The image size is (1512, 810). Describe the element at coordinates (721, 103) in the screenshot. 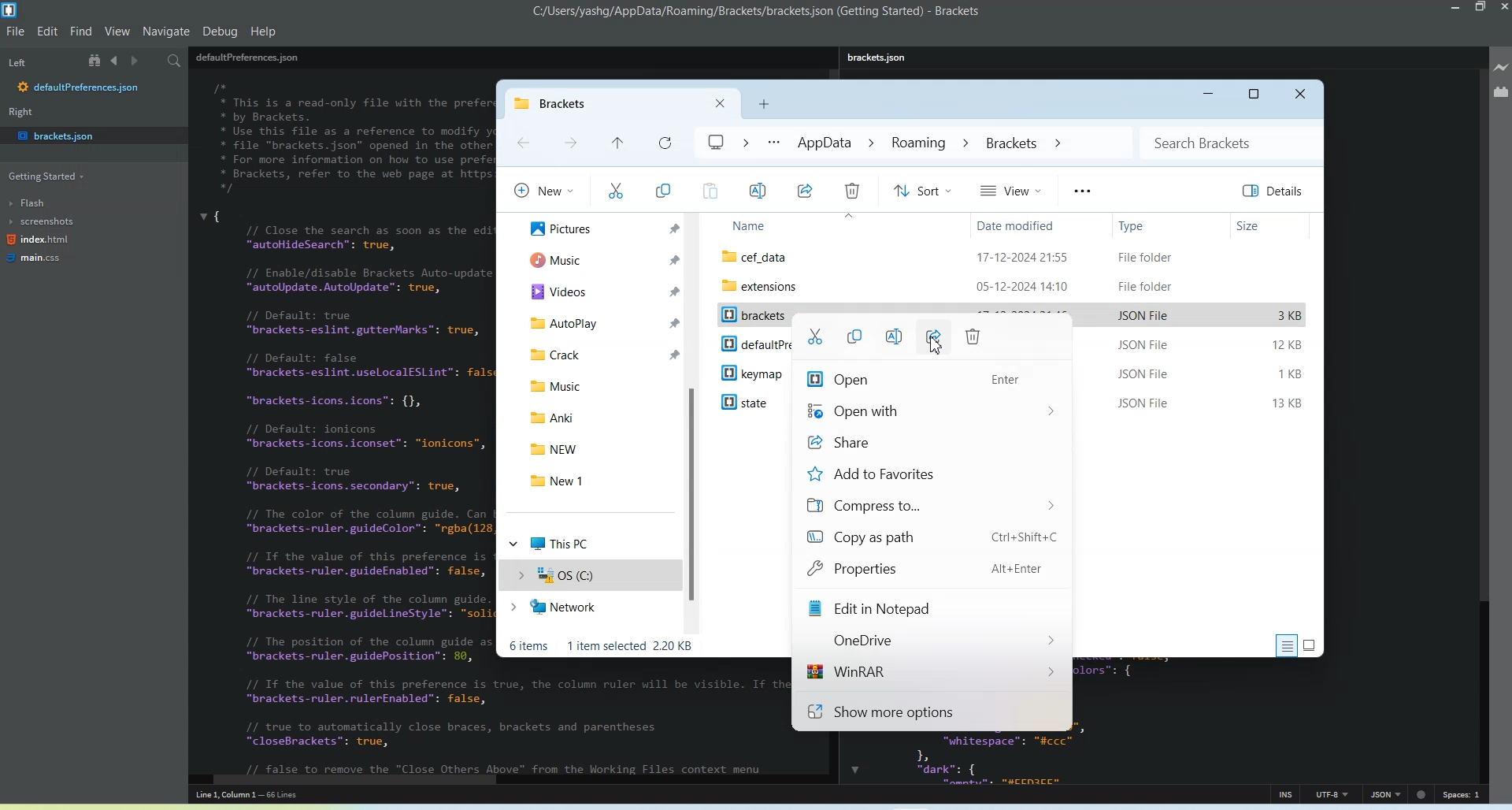

I see `Close` at that location.